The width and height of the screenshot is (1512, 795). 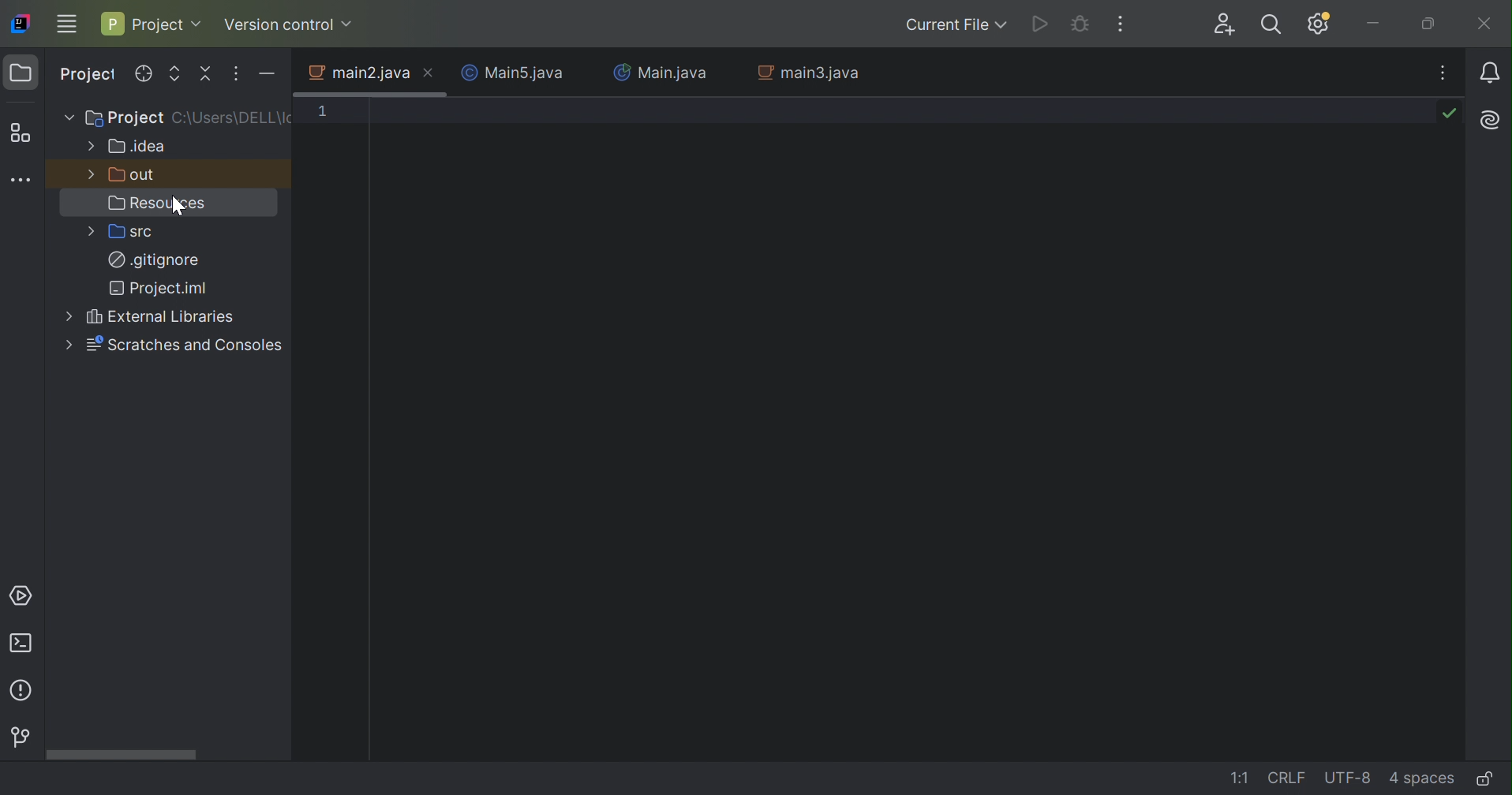 I want to click on Services, so click(x=24, y=596).